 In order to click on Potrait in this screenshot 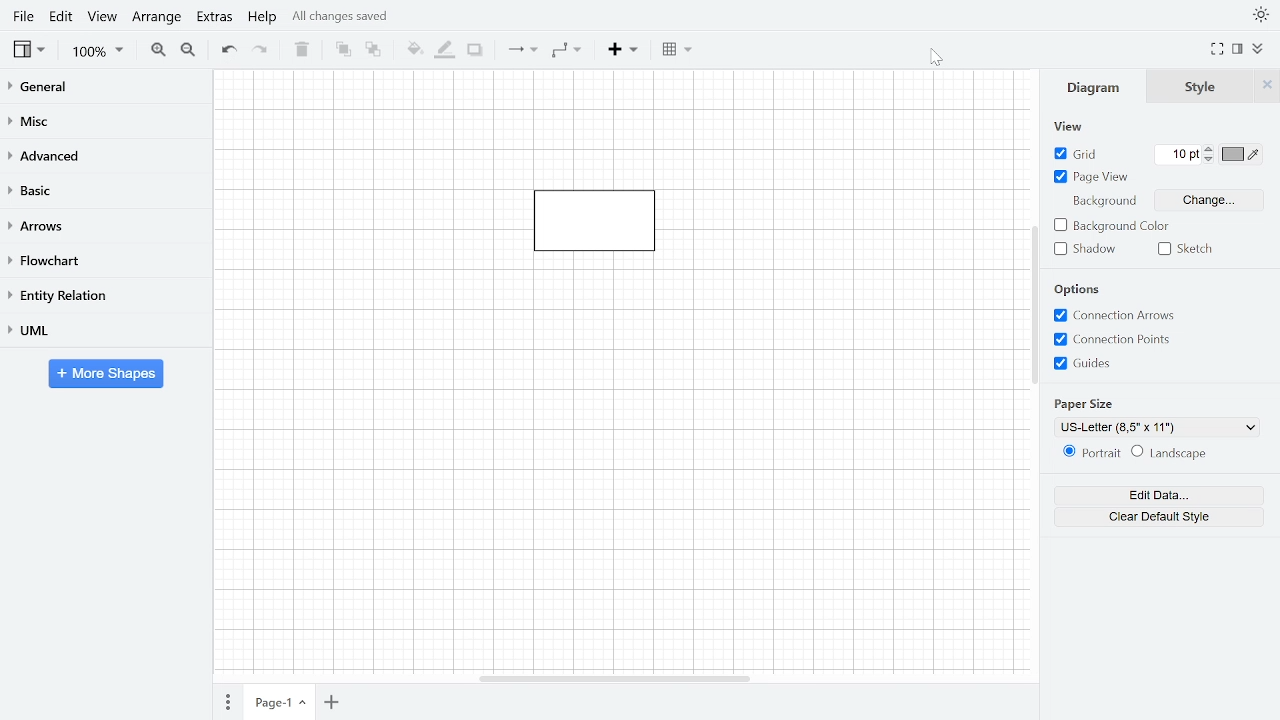, I will do `click(1092, 454)`.